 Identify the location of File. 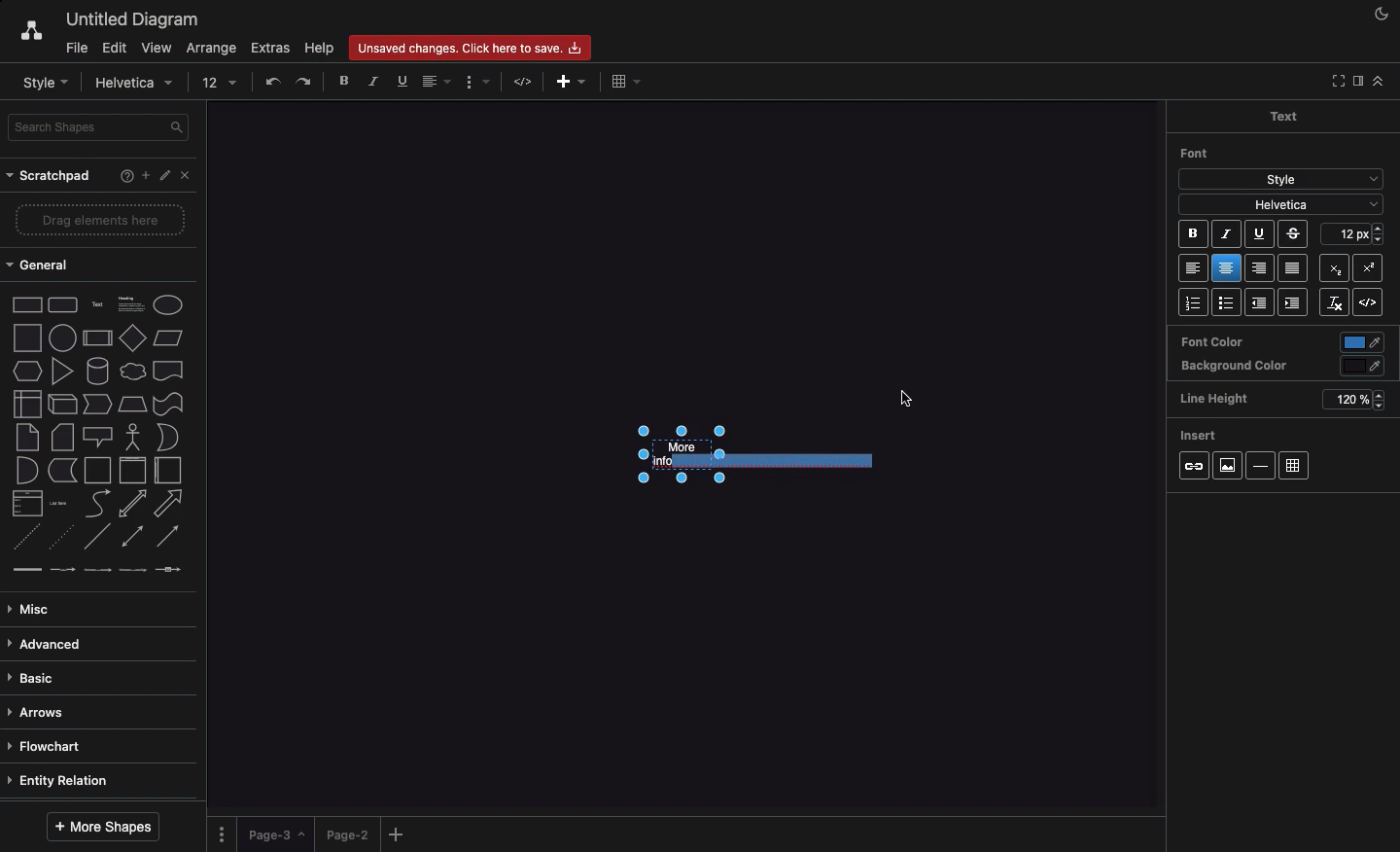
(75, 47).